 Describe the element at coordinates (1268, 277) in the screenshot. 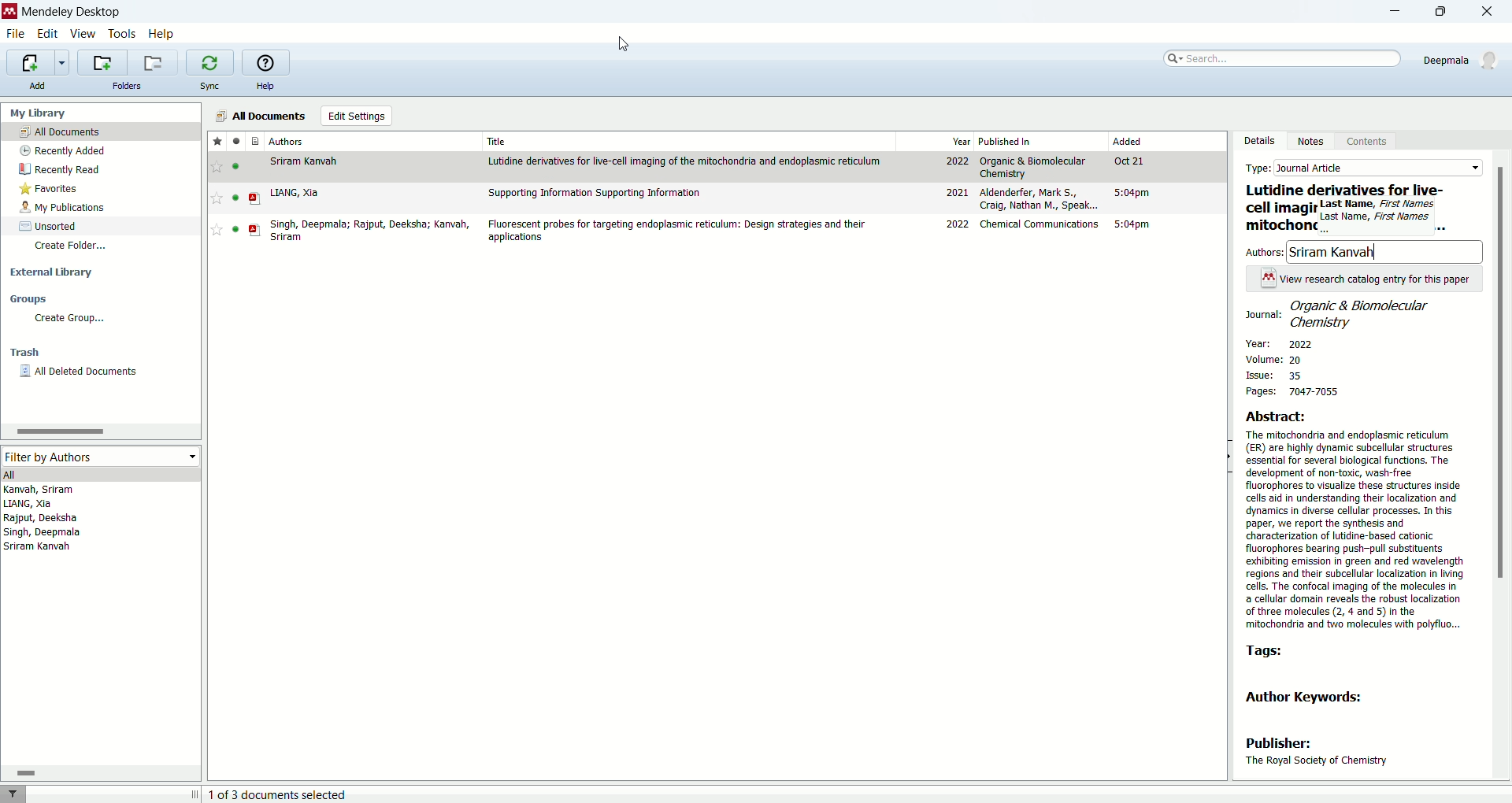

I see `Icon` at that location.